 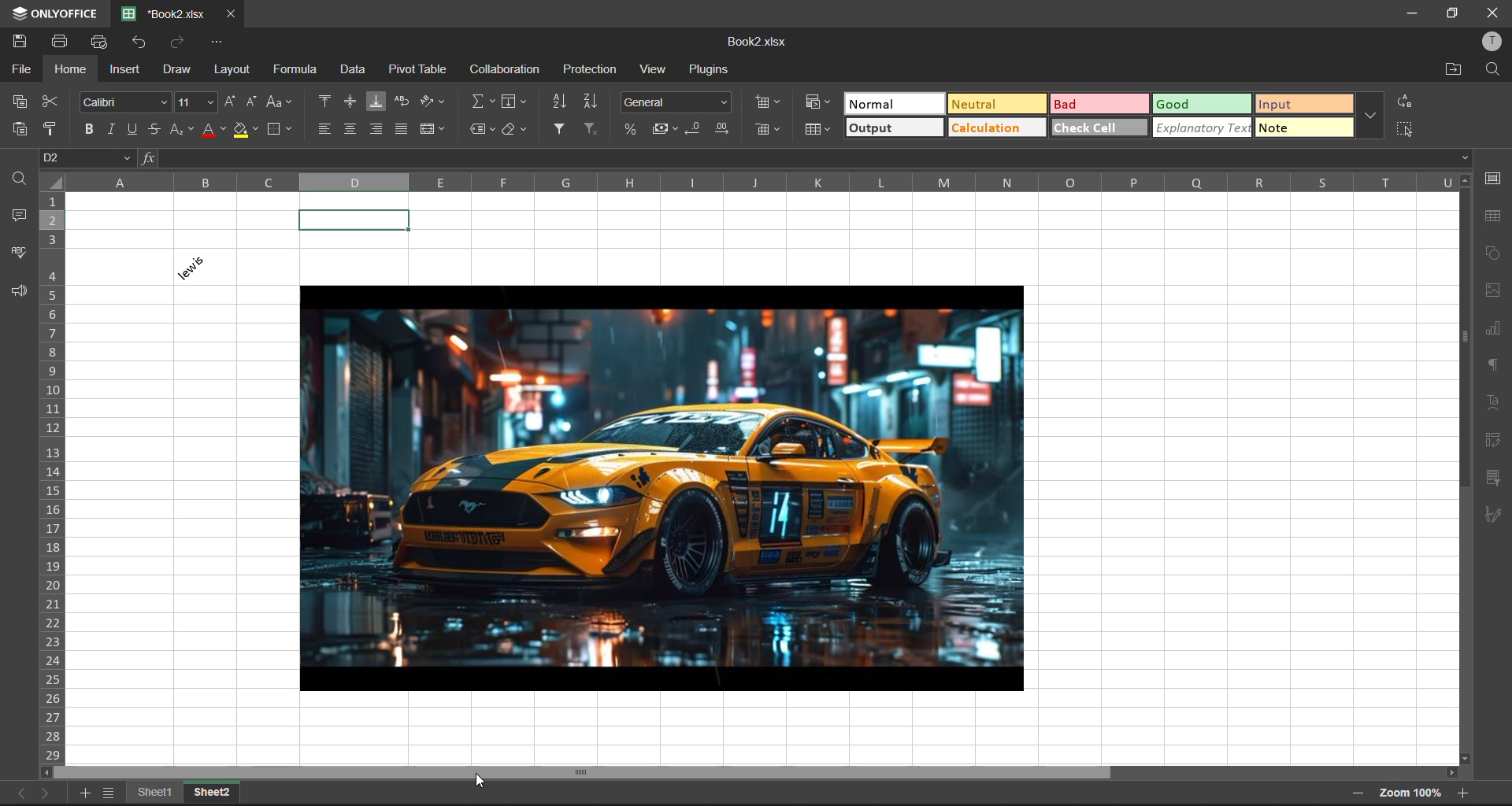 I want to click on neutral, so click(x=997, y=105).